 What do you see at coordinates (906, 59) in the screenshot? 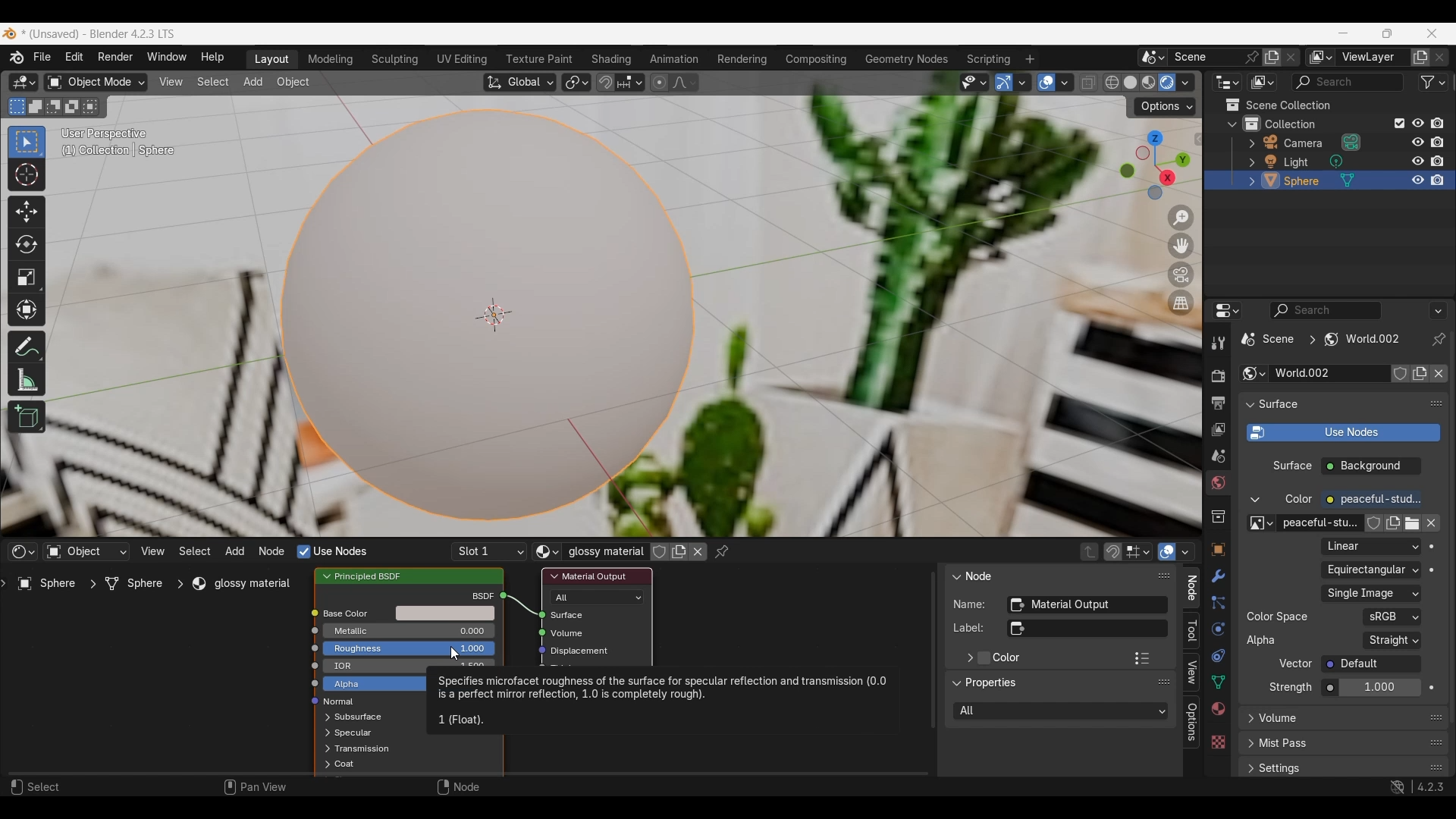
I see `Geometry nodes workspace` at bounding box center [906, 59].